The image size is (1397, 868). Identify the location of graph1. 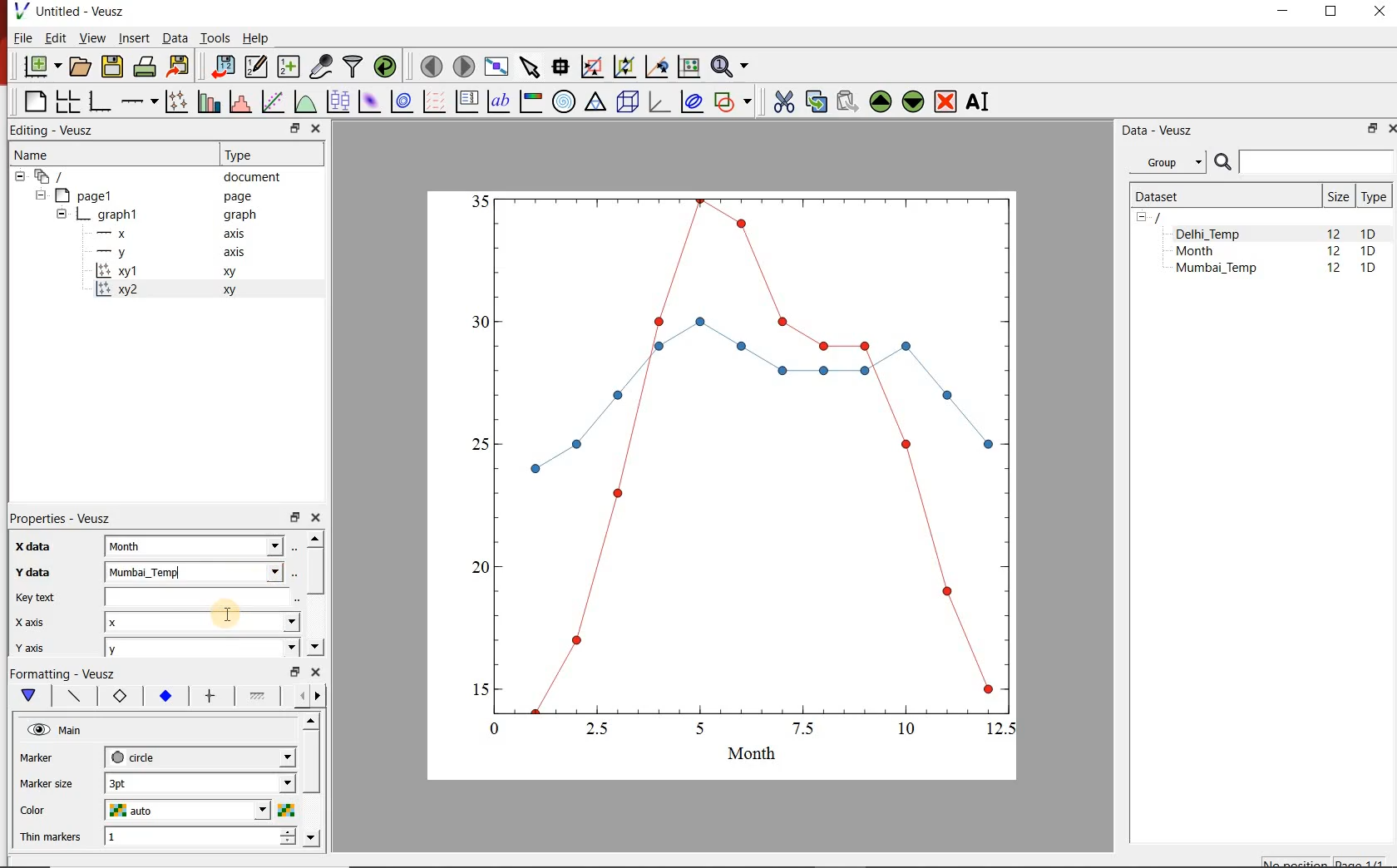
(741, 474).